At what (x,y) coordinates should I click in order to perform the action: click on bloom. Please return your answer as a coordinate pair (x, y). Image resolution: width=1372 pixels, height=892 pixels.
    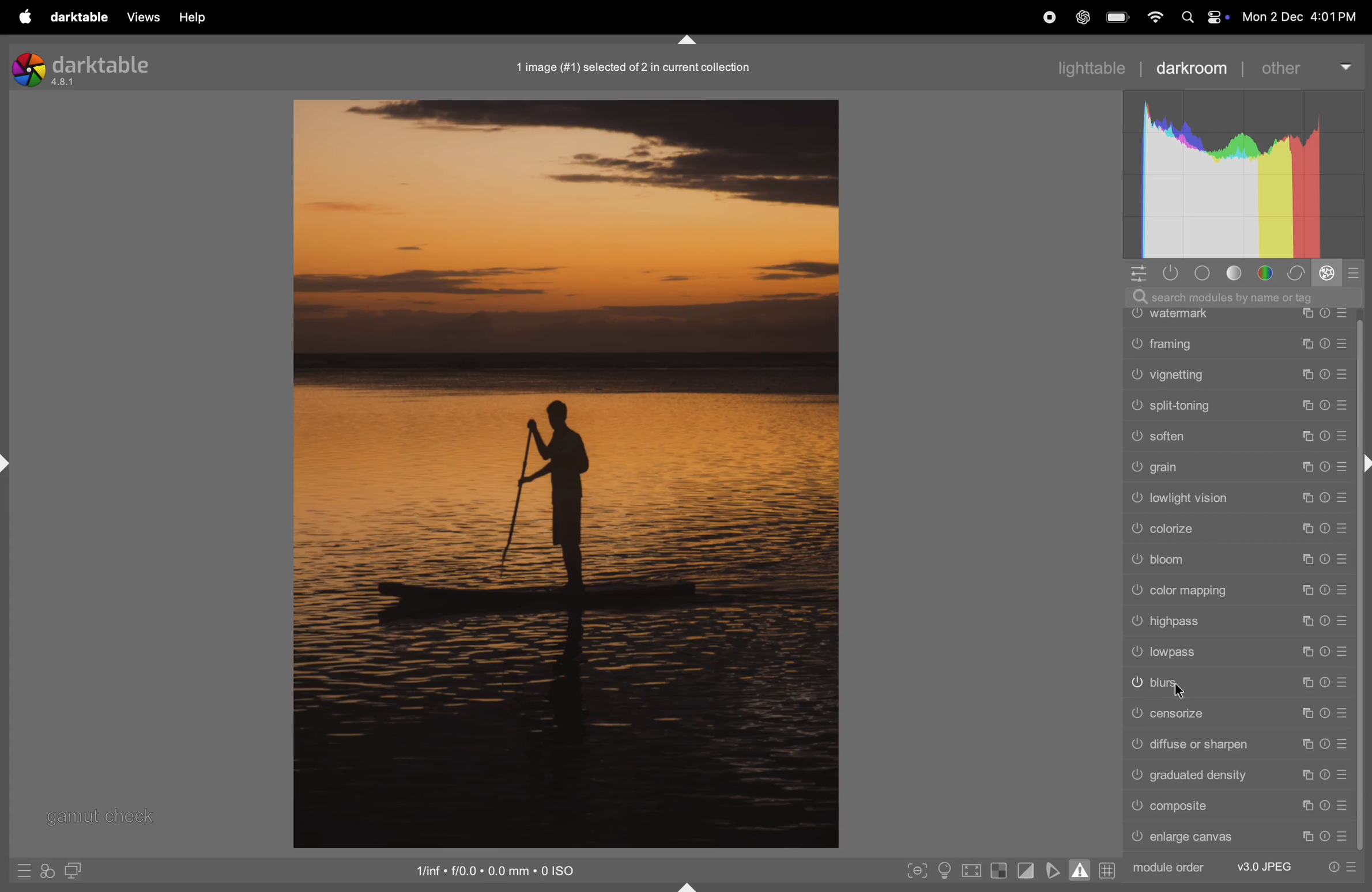
    Looking at the image, I should click on (1238, 559).